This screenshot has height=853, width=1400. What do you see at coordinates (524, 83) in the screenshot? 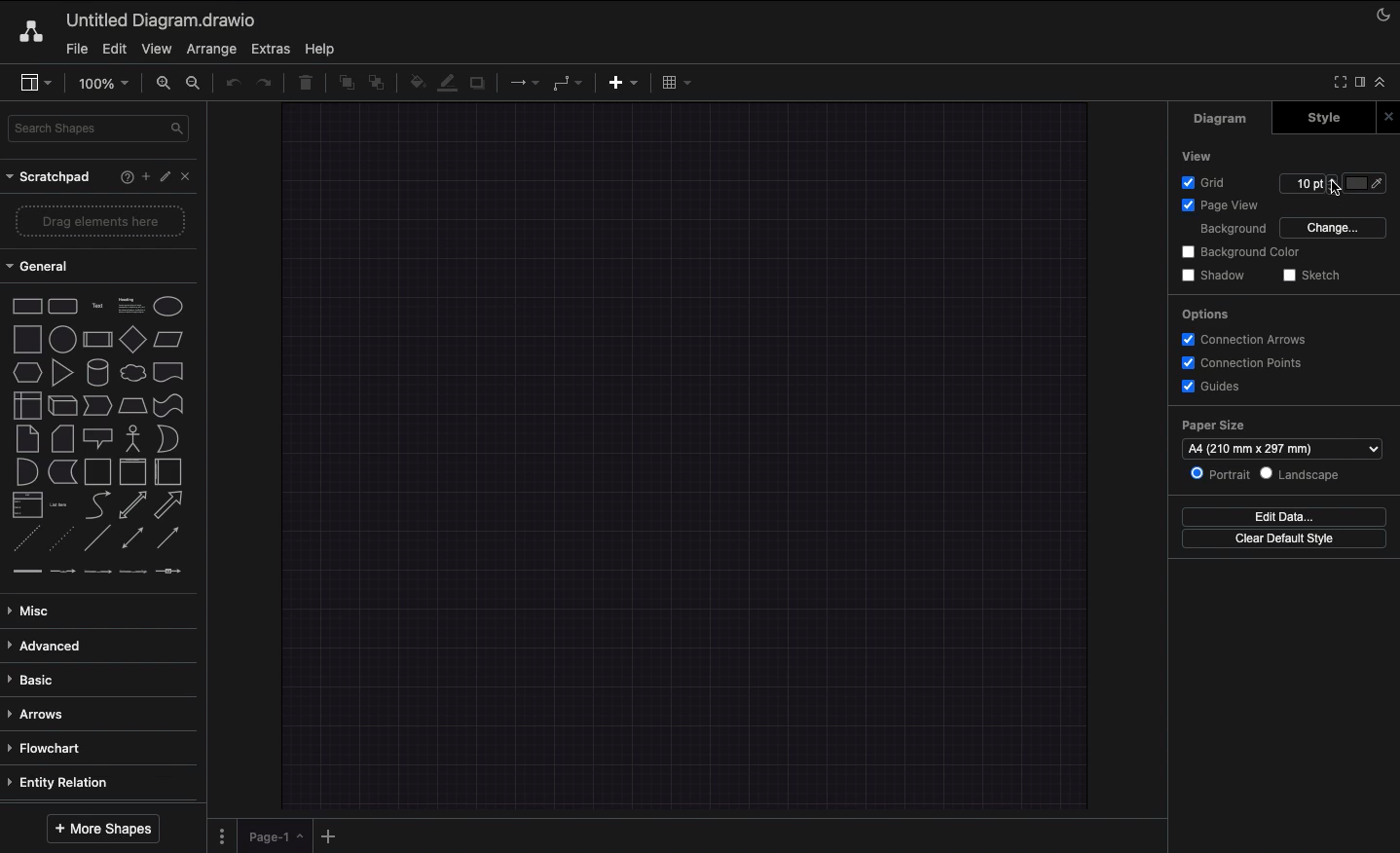
I see `Connection` at bounding box center [524, 83].